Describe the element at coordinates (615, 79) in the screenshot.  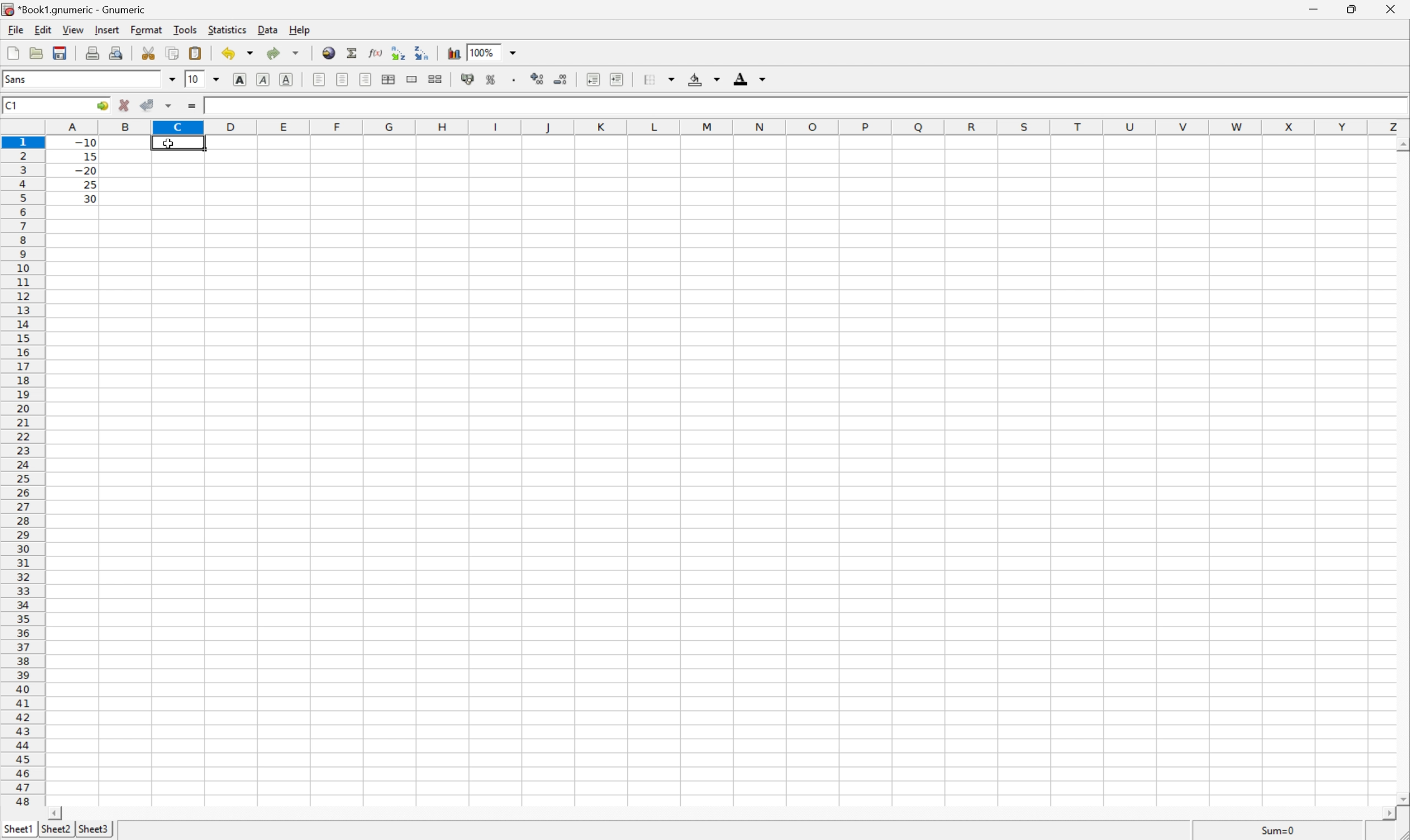
I see `Increase indent, and align the content to the left` at that location.